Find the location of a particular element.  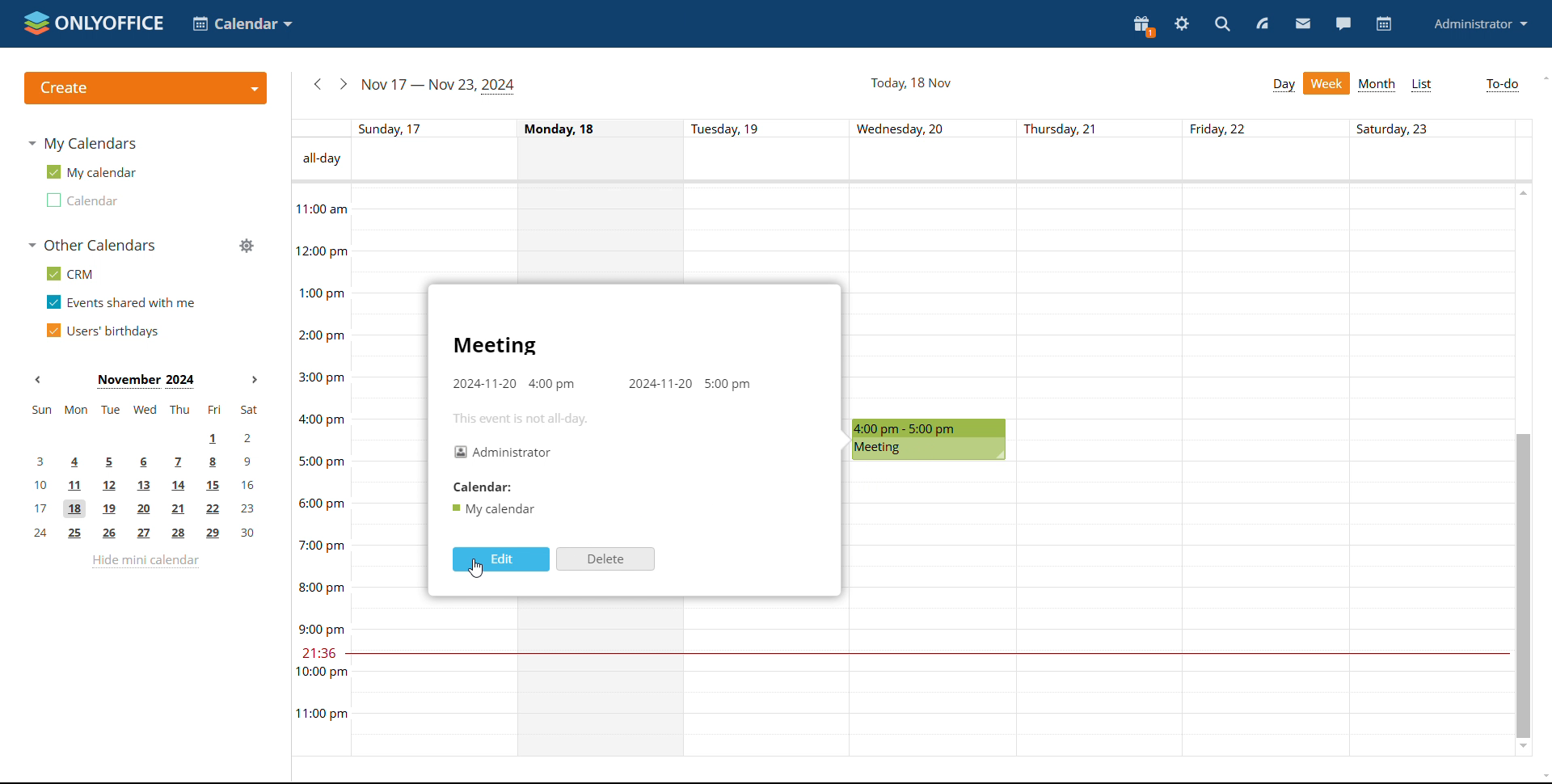

to-do is located at coordinates (1503, 86).